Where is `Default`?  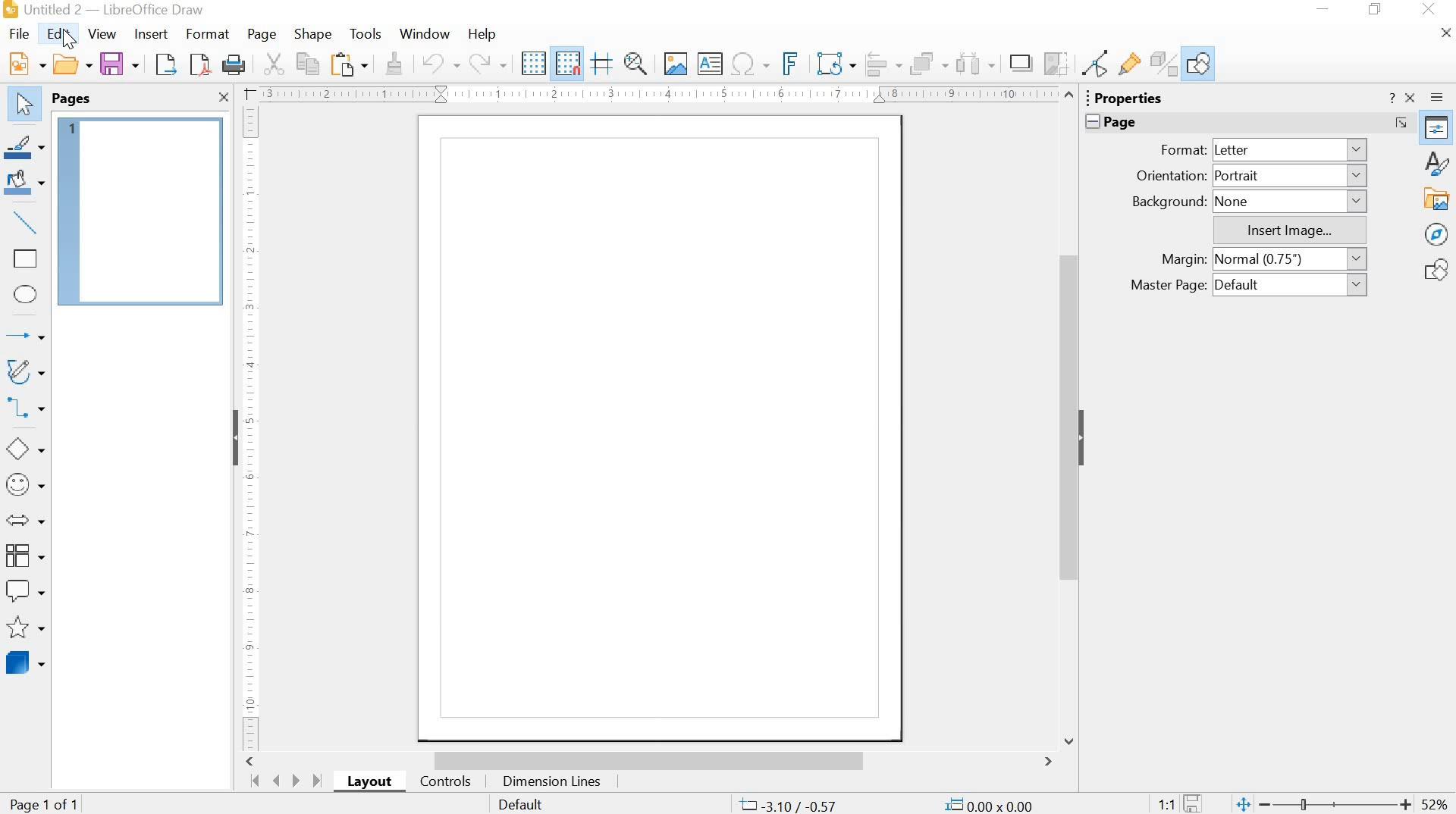
Default is located at coordinates (522, 803).